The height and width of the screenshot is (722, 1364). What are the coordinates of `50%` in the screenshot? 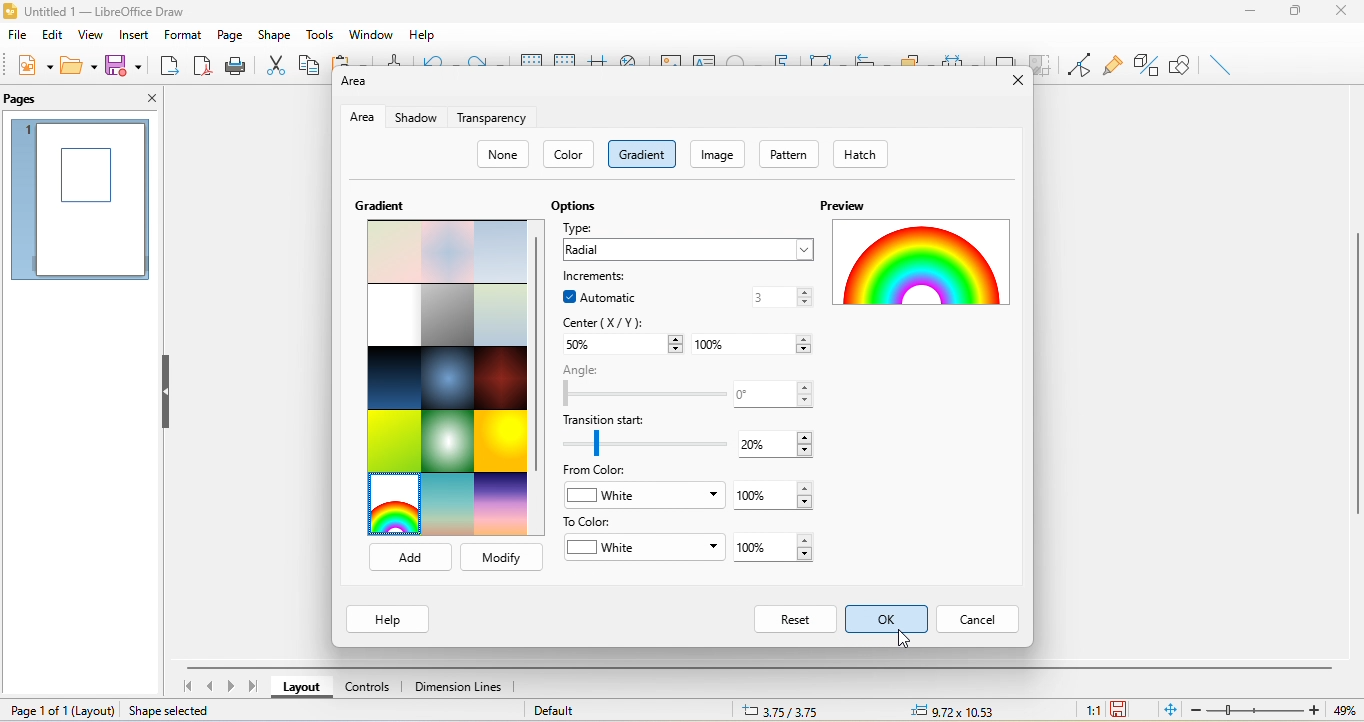 It's located at (622, 344).